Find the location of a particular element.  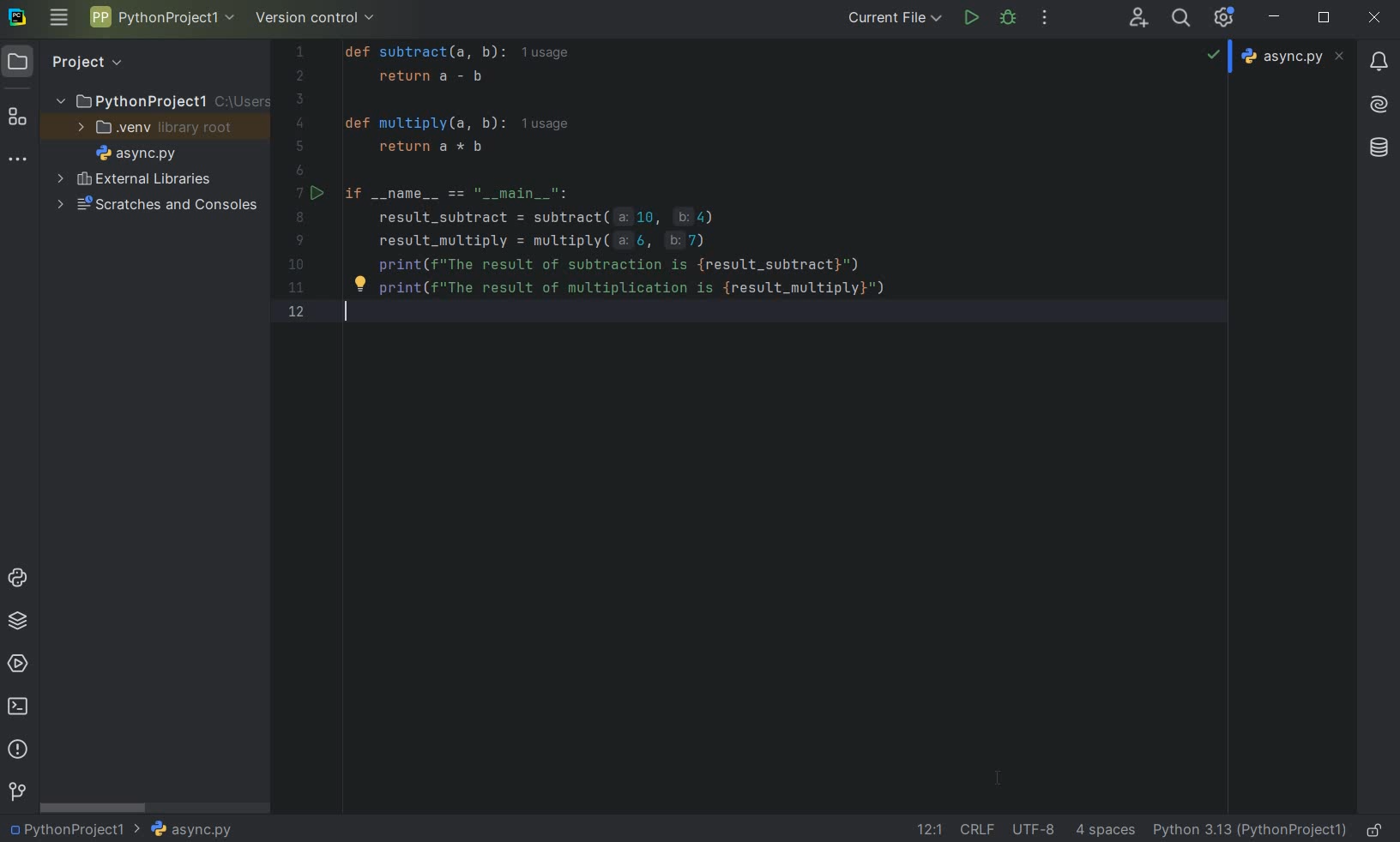

code with me is located at coordinates (1138, 16).